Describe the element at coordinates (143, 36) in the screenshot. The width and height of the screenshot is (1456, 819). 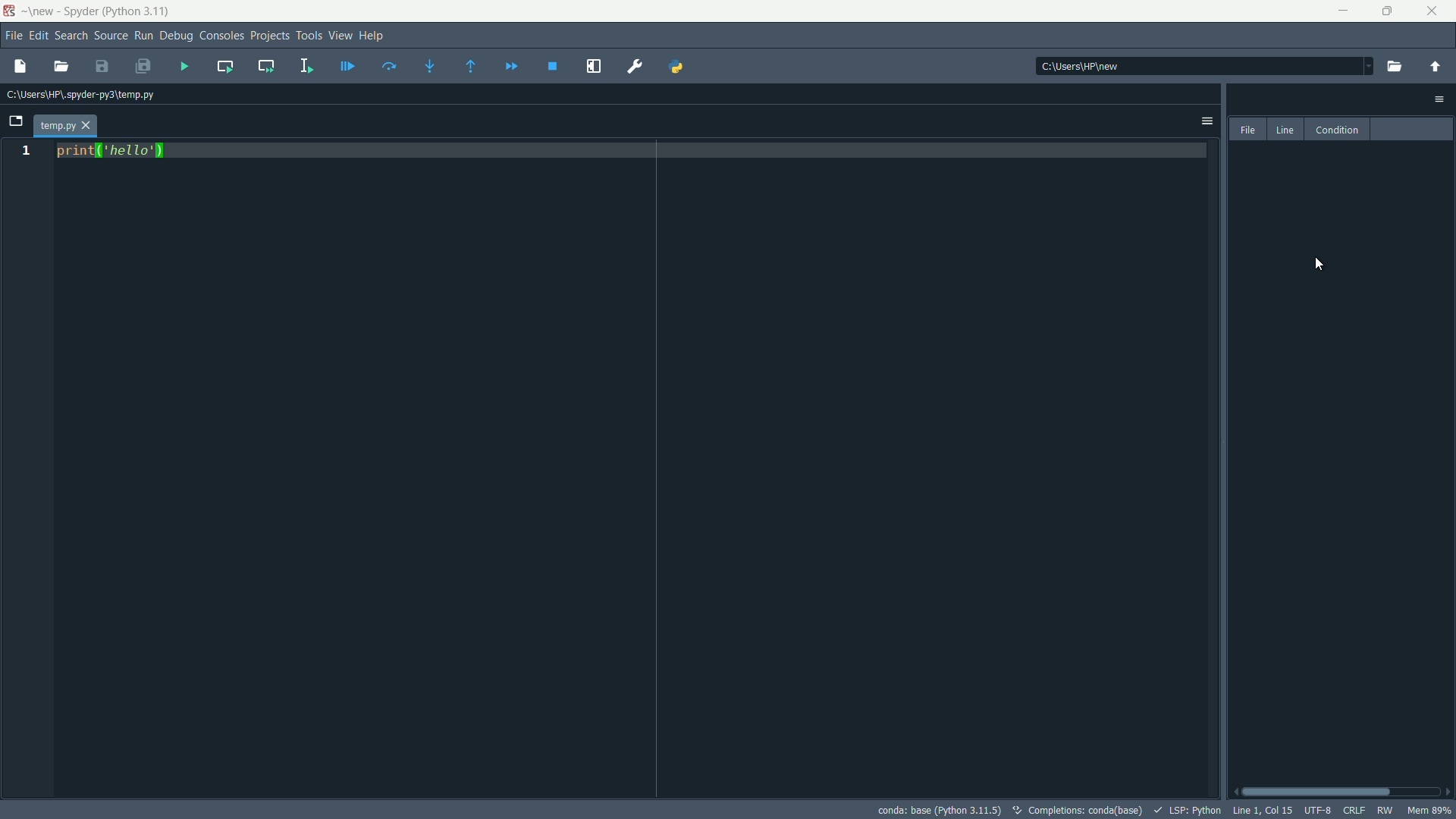
I see `run menu` at that location.